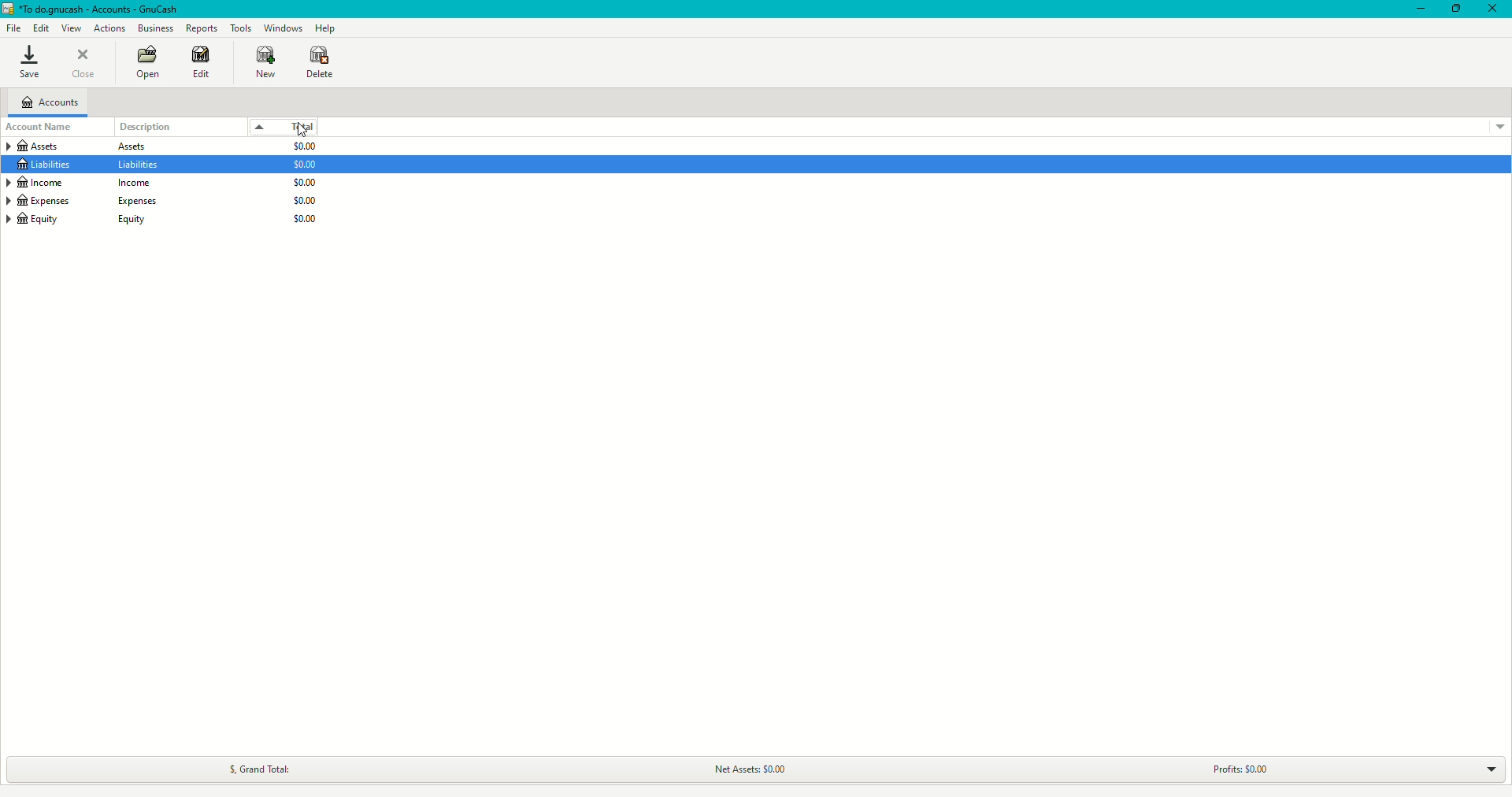  I want to click on Drop Down, so click(1491, 769).